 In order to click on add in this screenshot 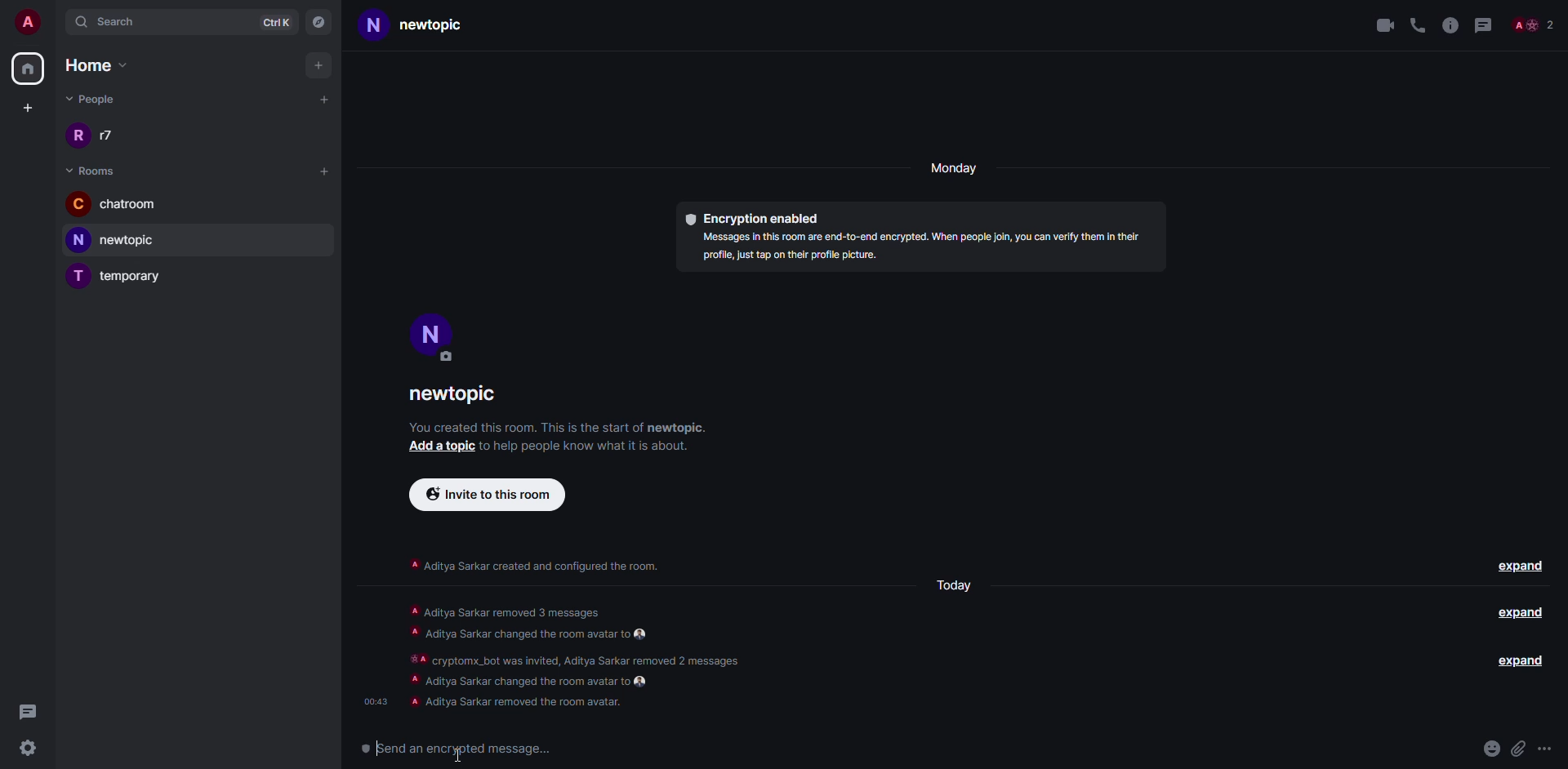, I will do `click(325, 98)`.